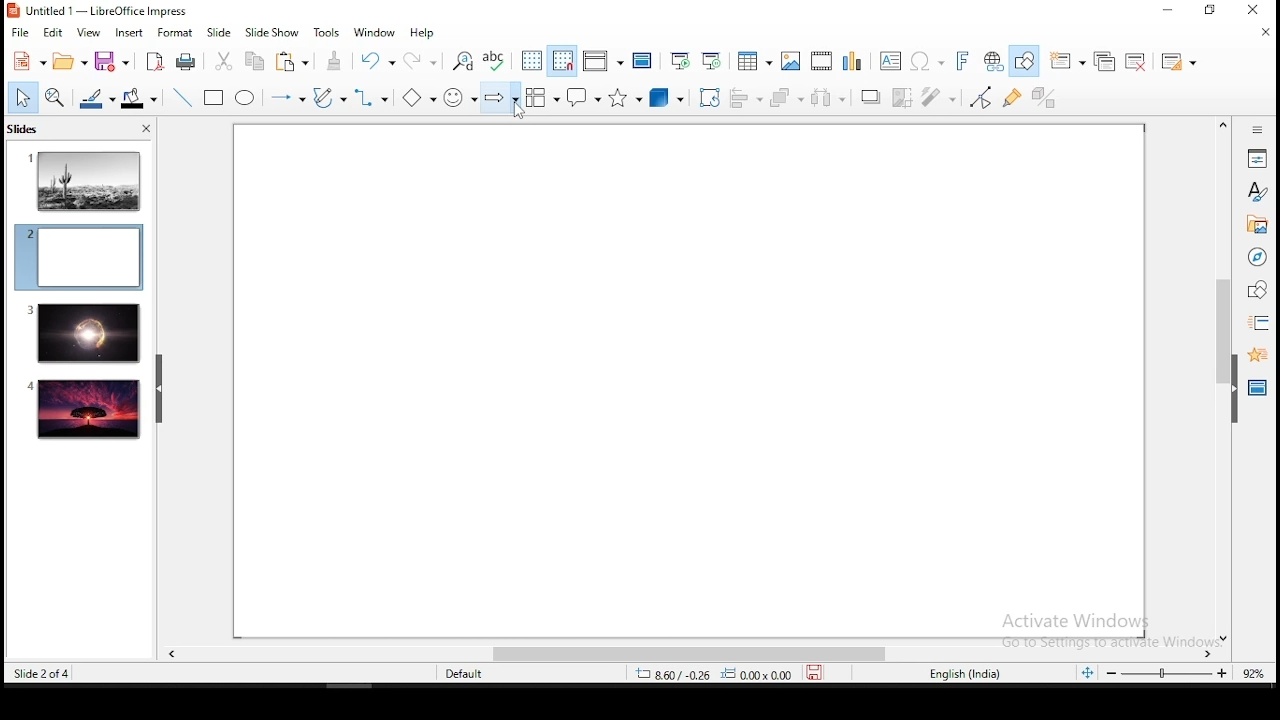 Image resolution: width=1280 pixels, height=720 pixels. Describe the element at coordinates (852, 61) in the screenshot. I see `charts` at that location.